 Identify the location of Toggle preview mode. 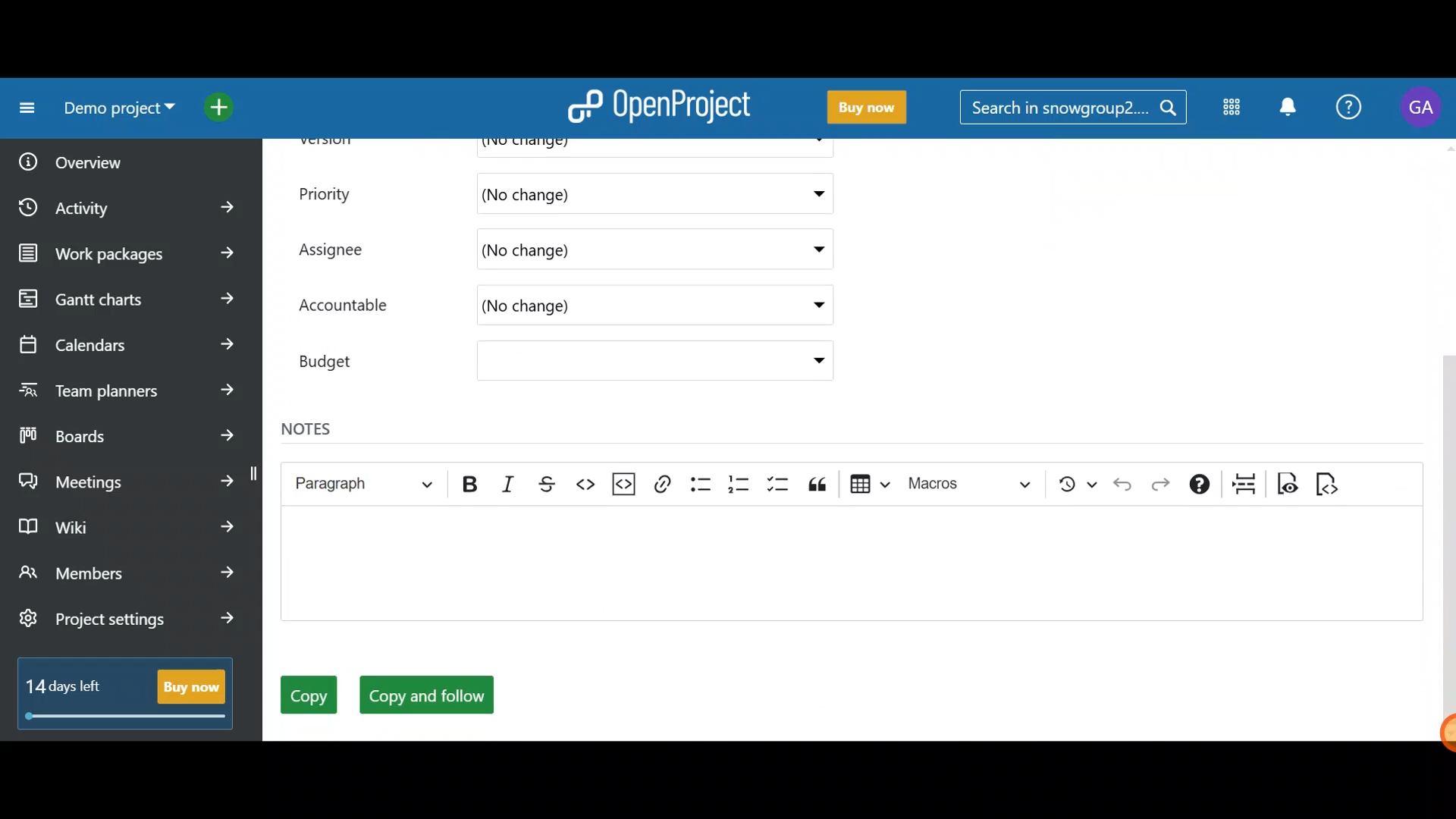
(1287, 487).